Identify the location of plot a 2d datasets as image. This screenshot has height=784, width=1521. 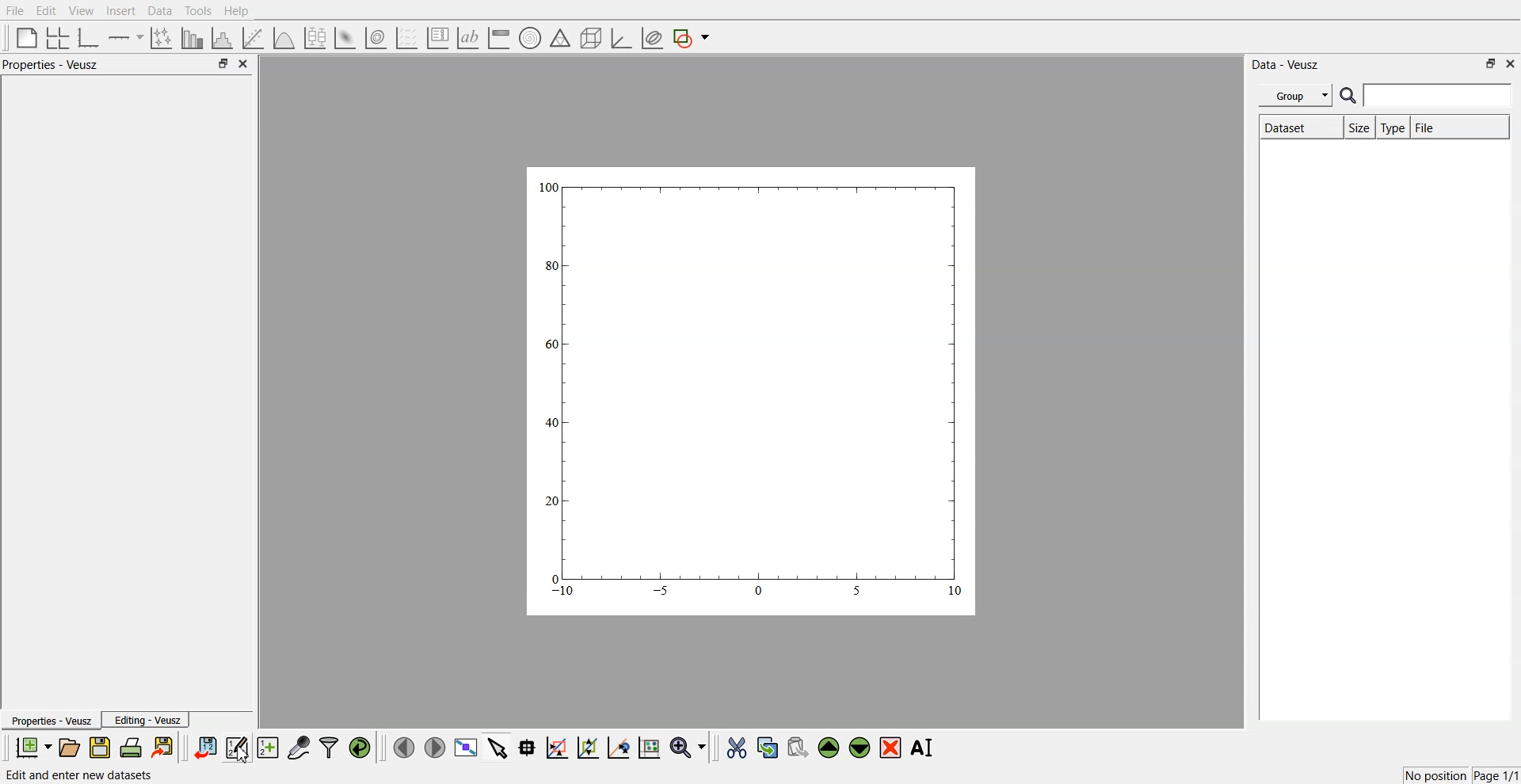
(344, 37).